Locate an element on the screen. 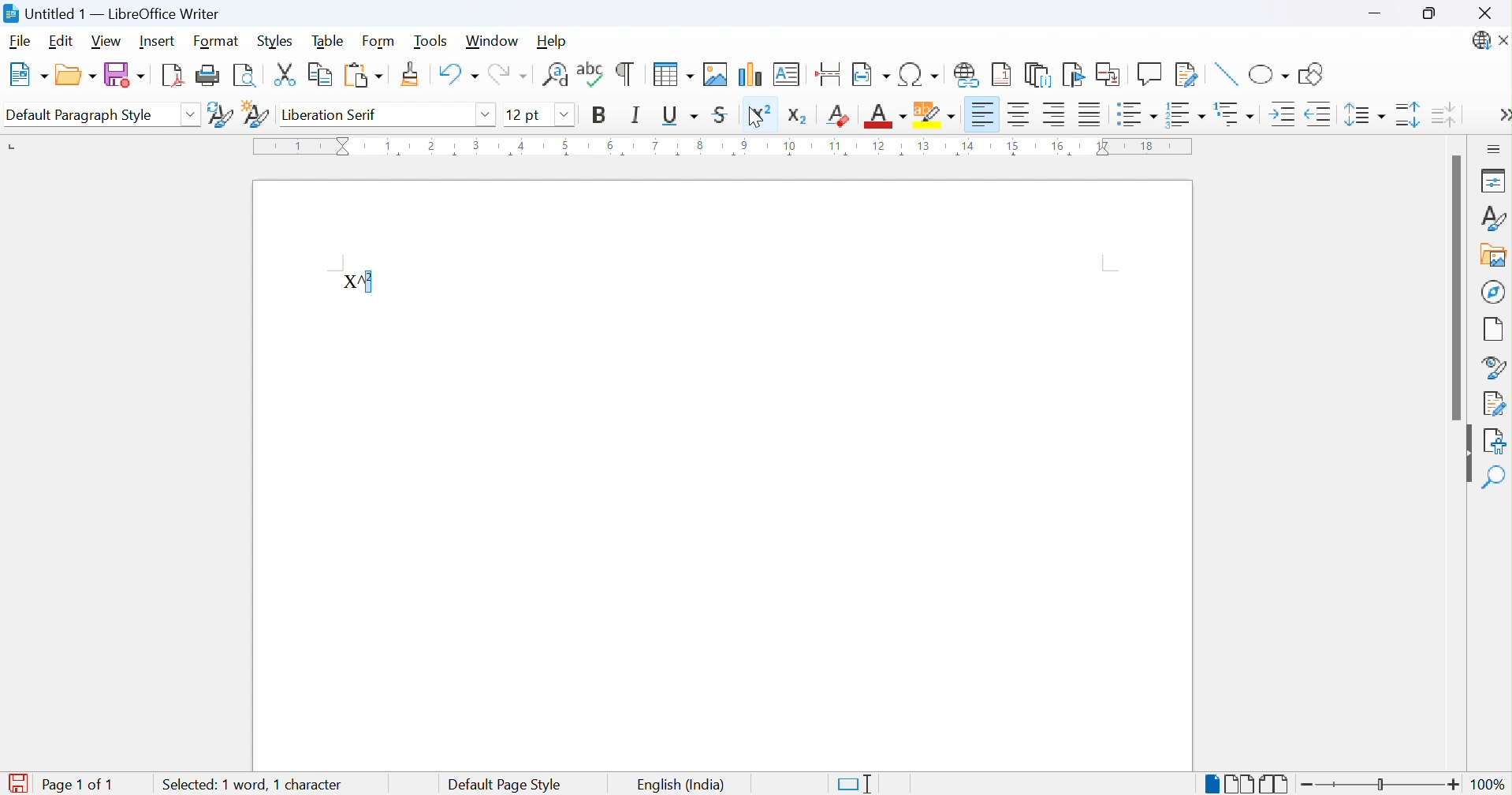 The width and height of the screenshot is (1512, 795). Decrease paragraph spacing is located at coordinates (1444, 116).